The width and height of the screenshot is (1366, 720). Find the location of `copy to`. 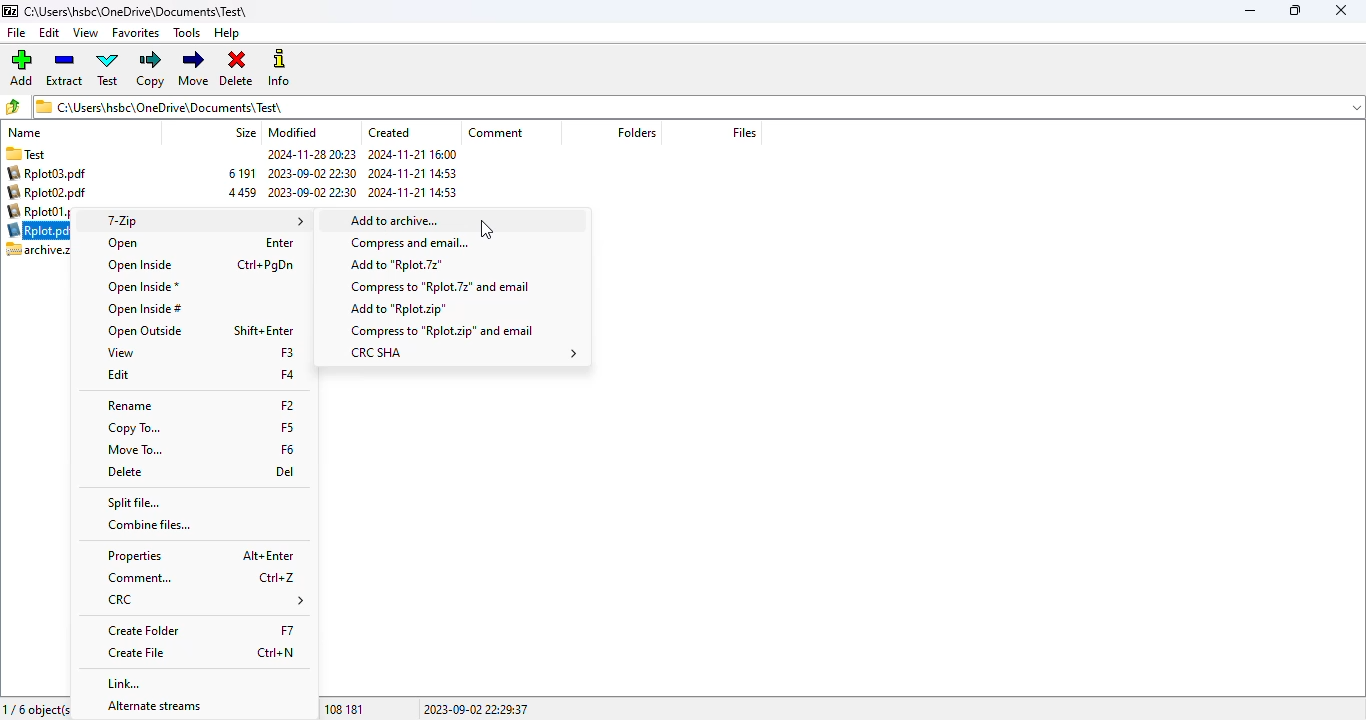

copy to is located at coordinates (136, 428).